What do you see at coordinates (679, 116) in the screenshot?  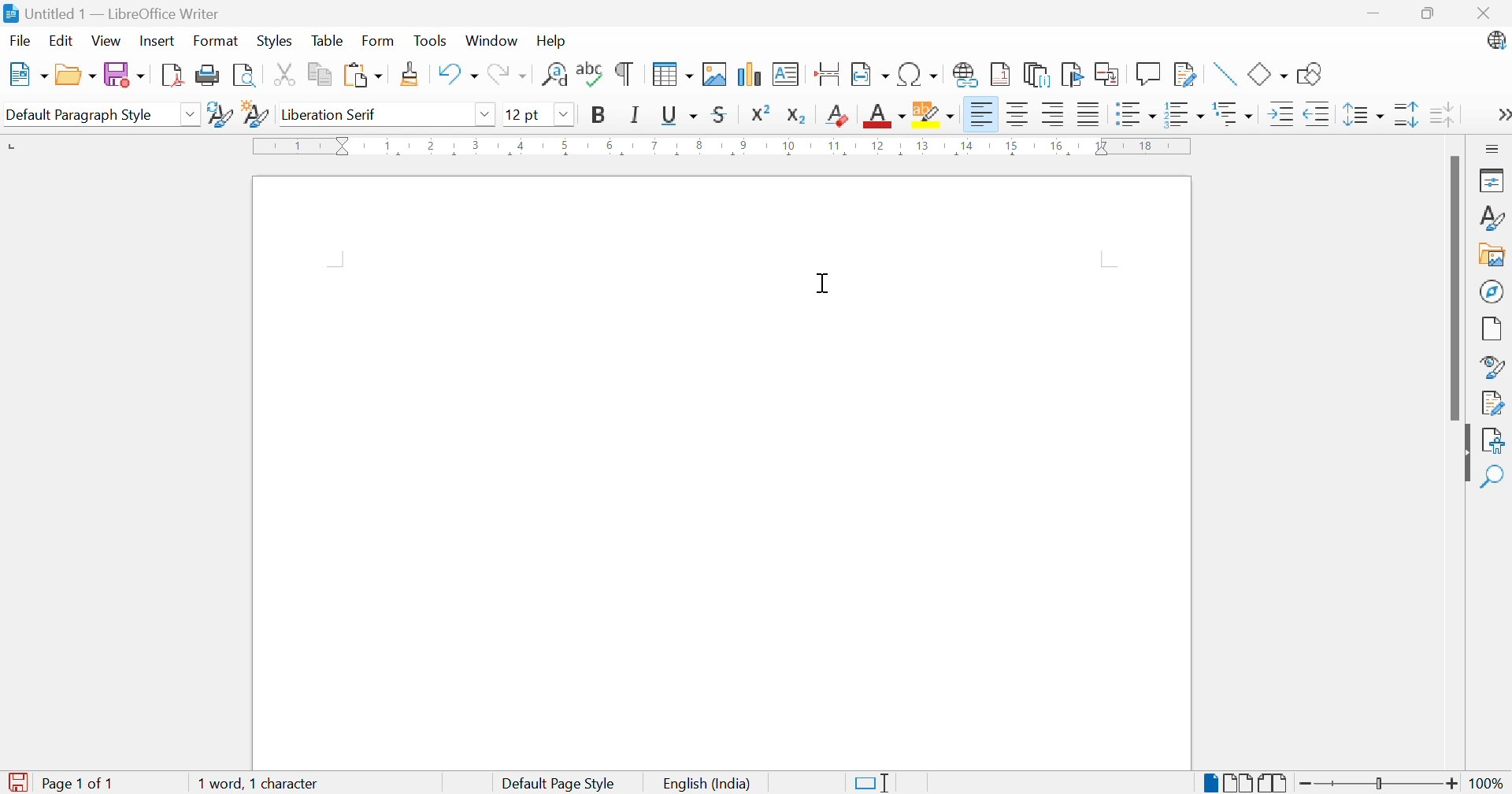 I see `Underline` at bounding box center [679, 116].